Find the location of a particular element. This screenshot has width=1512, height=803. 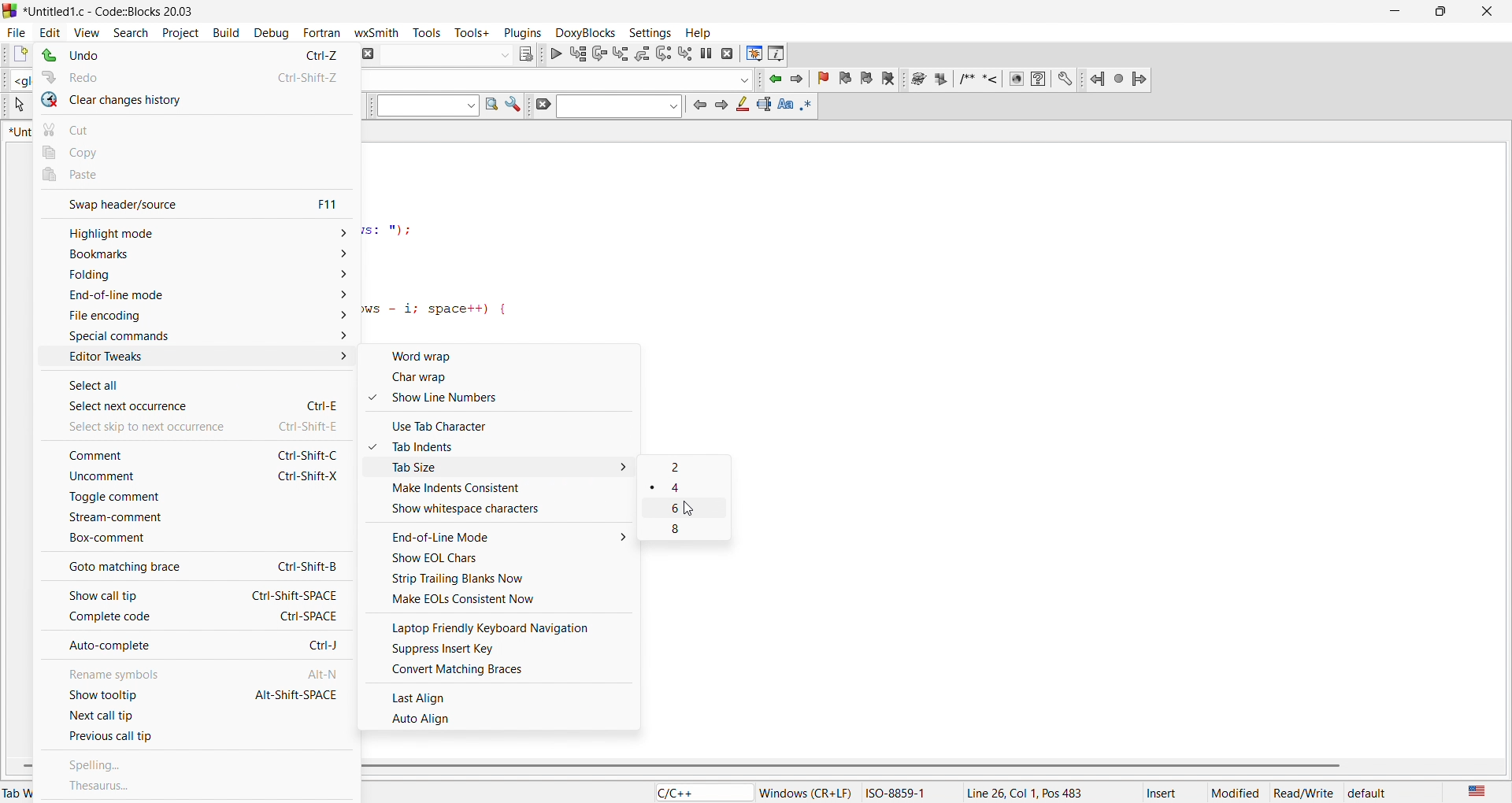

make eol consistent now is located at coordinates (503, 600).